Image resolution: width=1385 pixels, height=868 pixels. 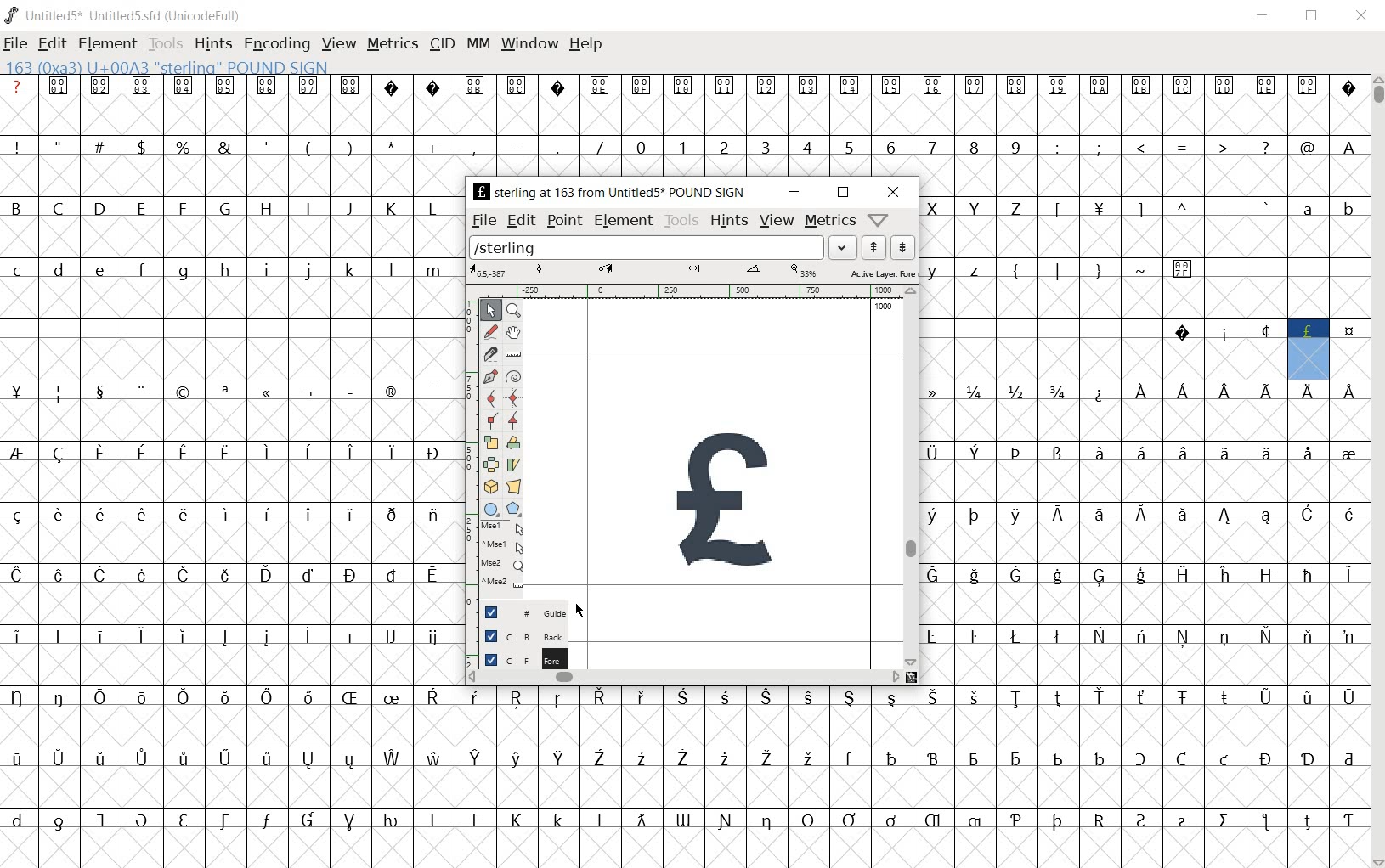 I want to click on @, so click(x=1307, y=146).